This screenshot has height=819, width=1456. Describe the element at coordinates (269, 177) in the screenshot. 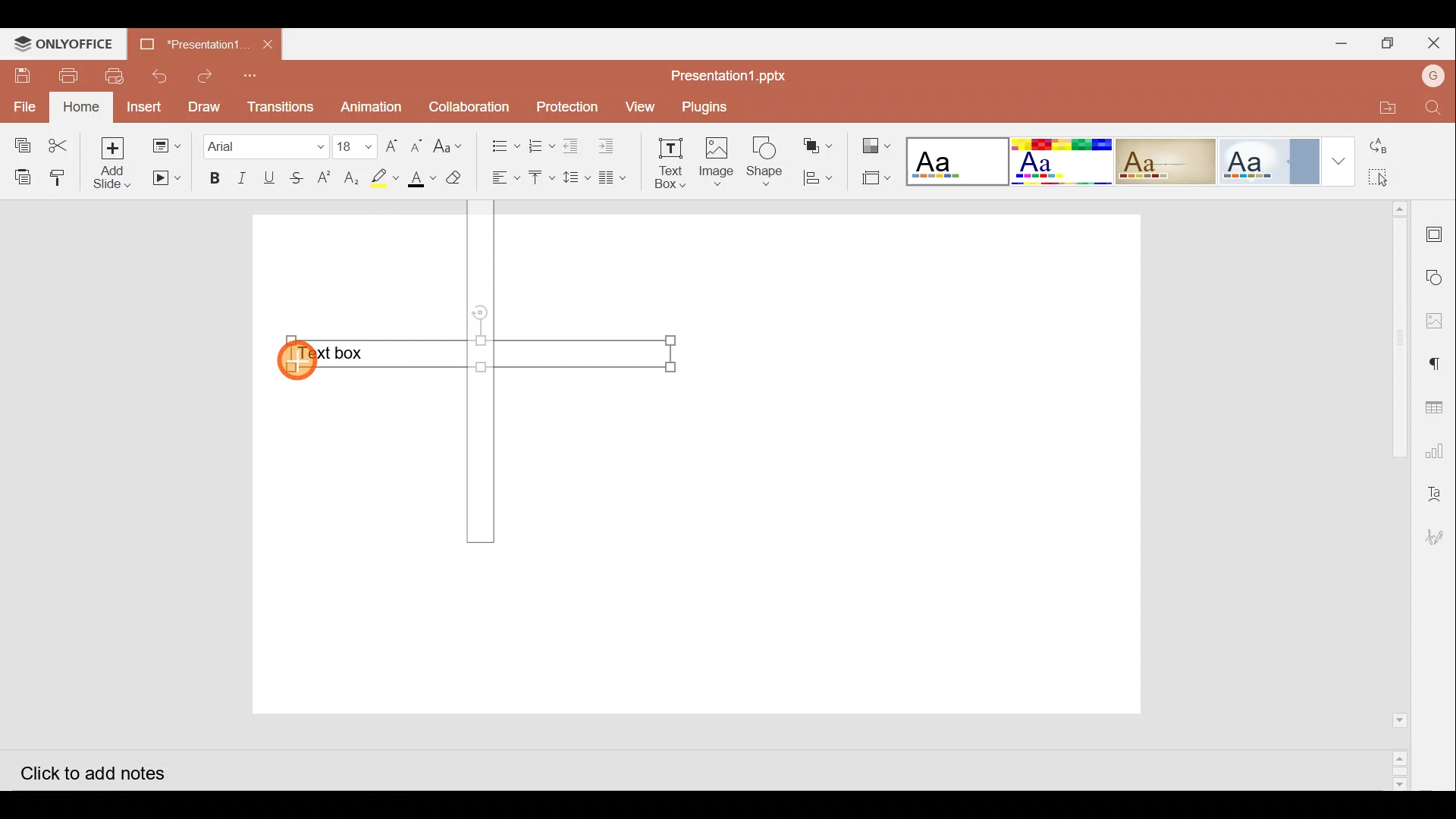

I see `Underline` at that location.